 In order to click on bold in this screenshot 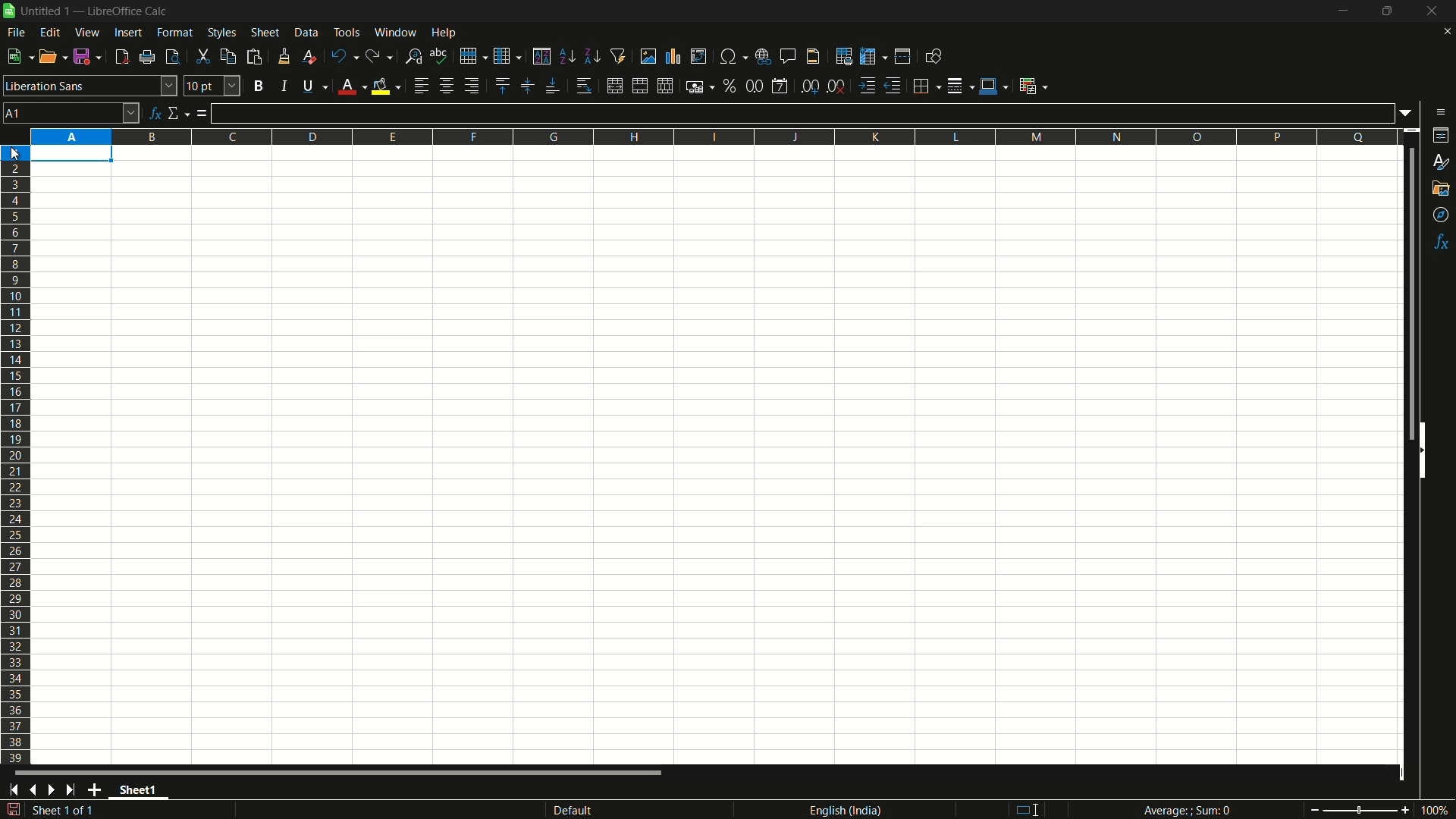, I will do `click(258, 85)`.